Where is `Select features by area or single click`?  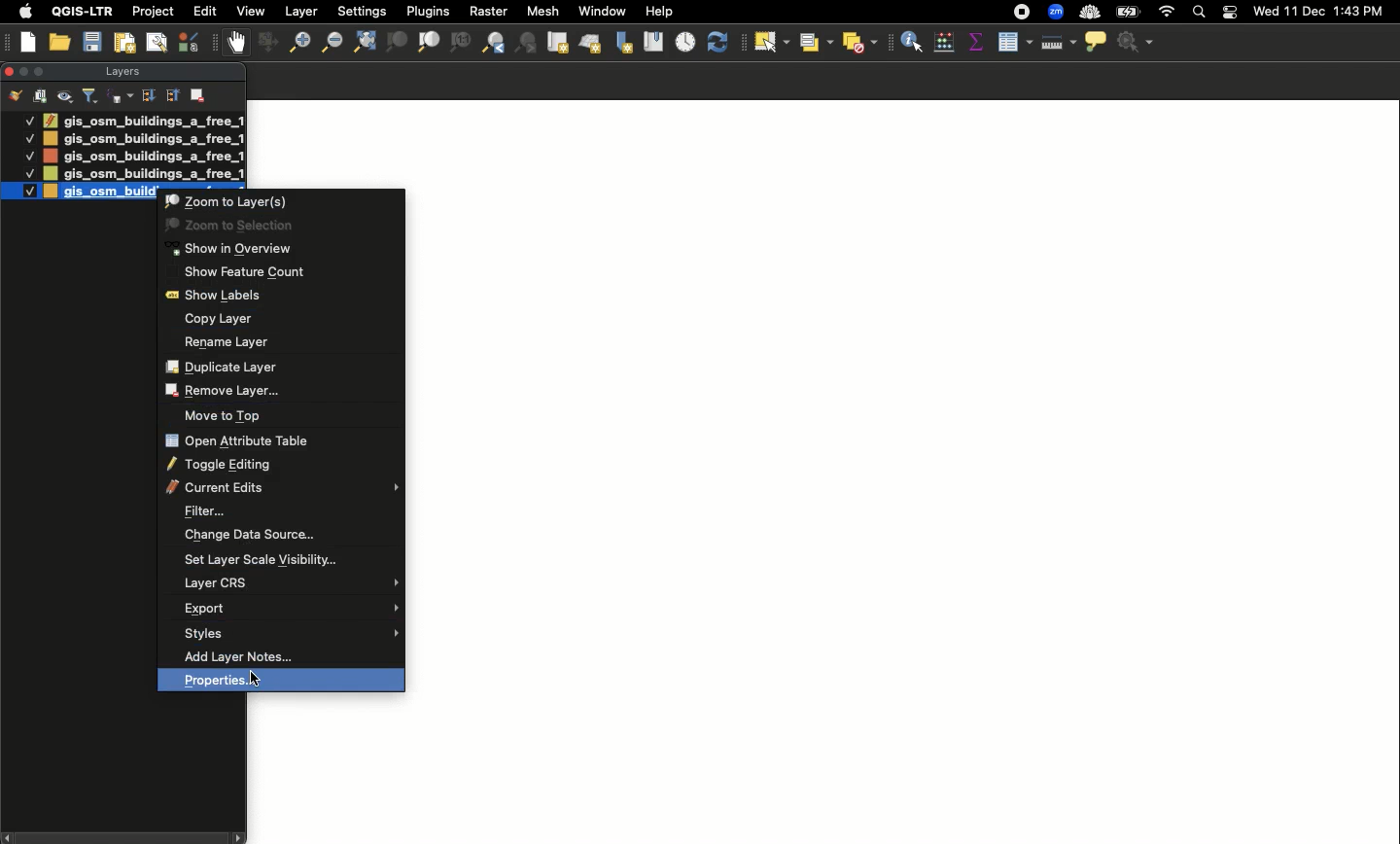
Select features by area or single click is located at coordinates (772, 43).